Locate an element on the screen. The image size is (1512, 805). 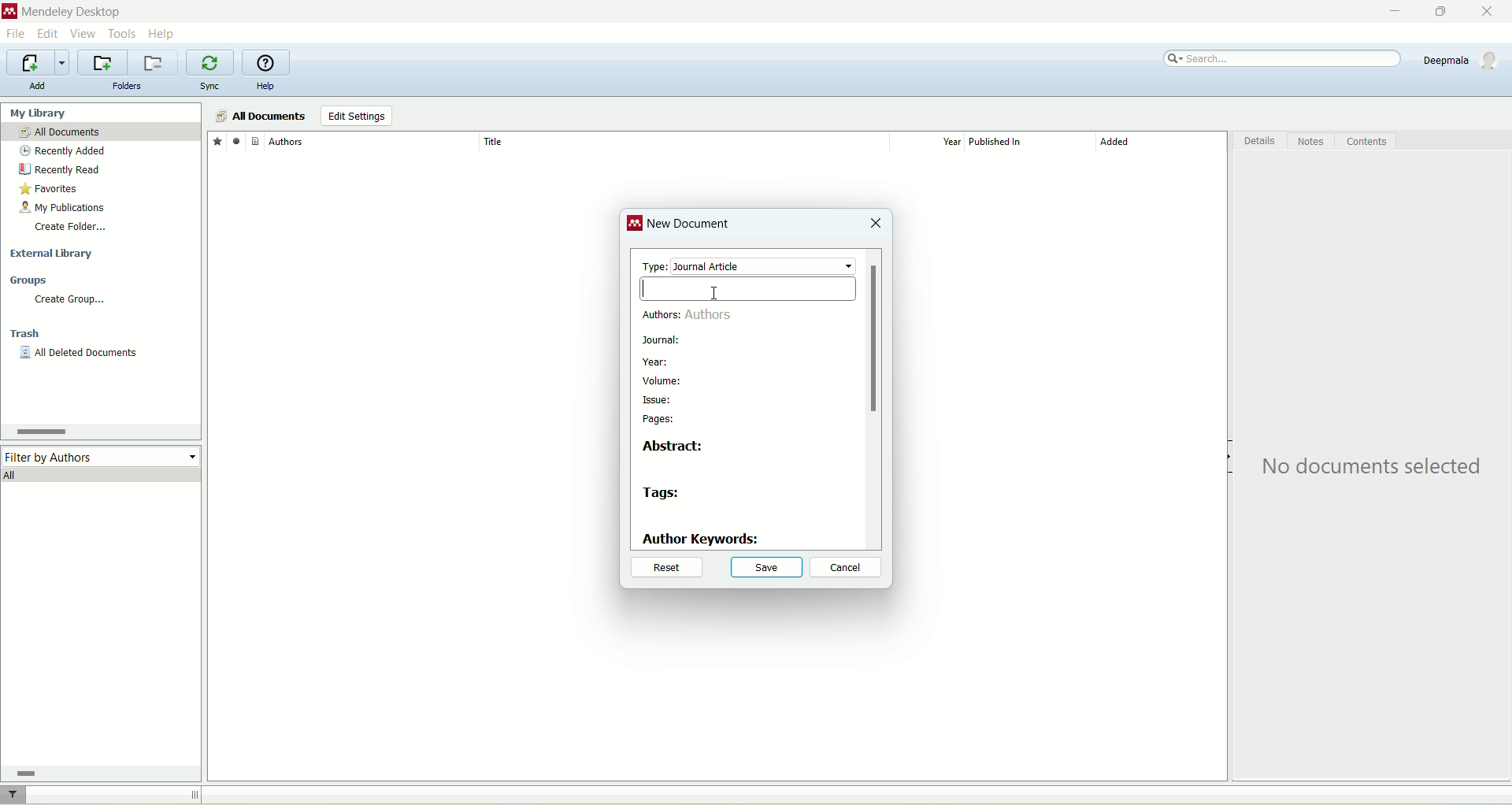
close is located at coordinates (1494, 12).